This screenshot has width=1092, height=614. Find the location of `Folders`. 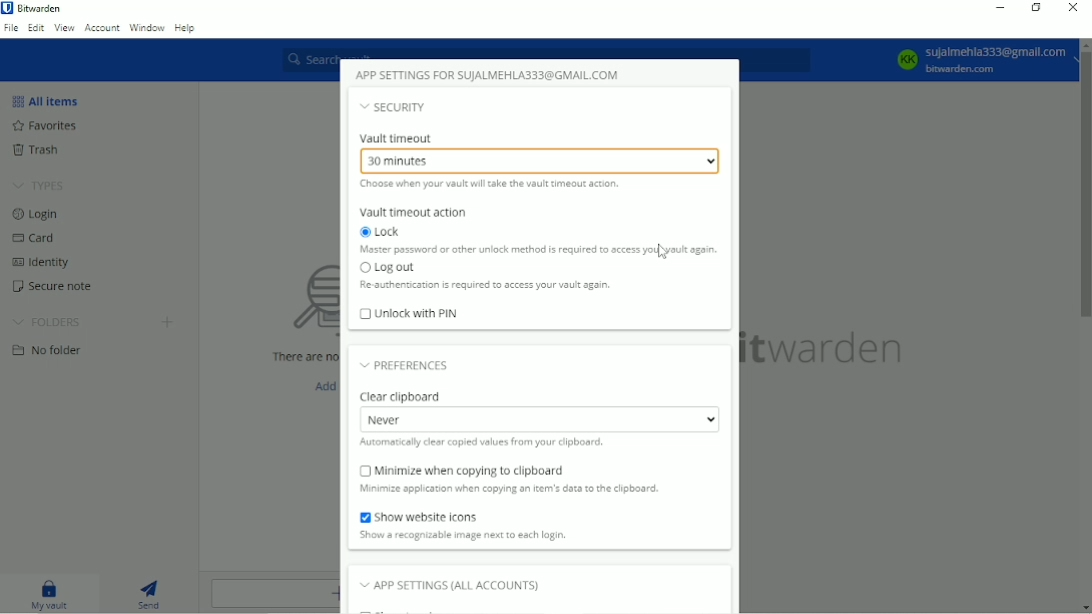

Folders is located at coordinates (49, 319).